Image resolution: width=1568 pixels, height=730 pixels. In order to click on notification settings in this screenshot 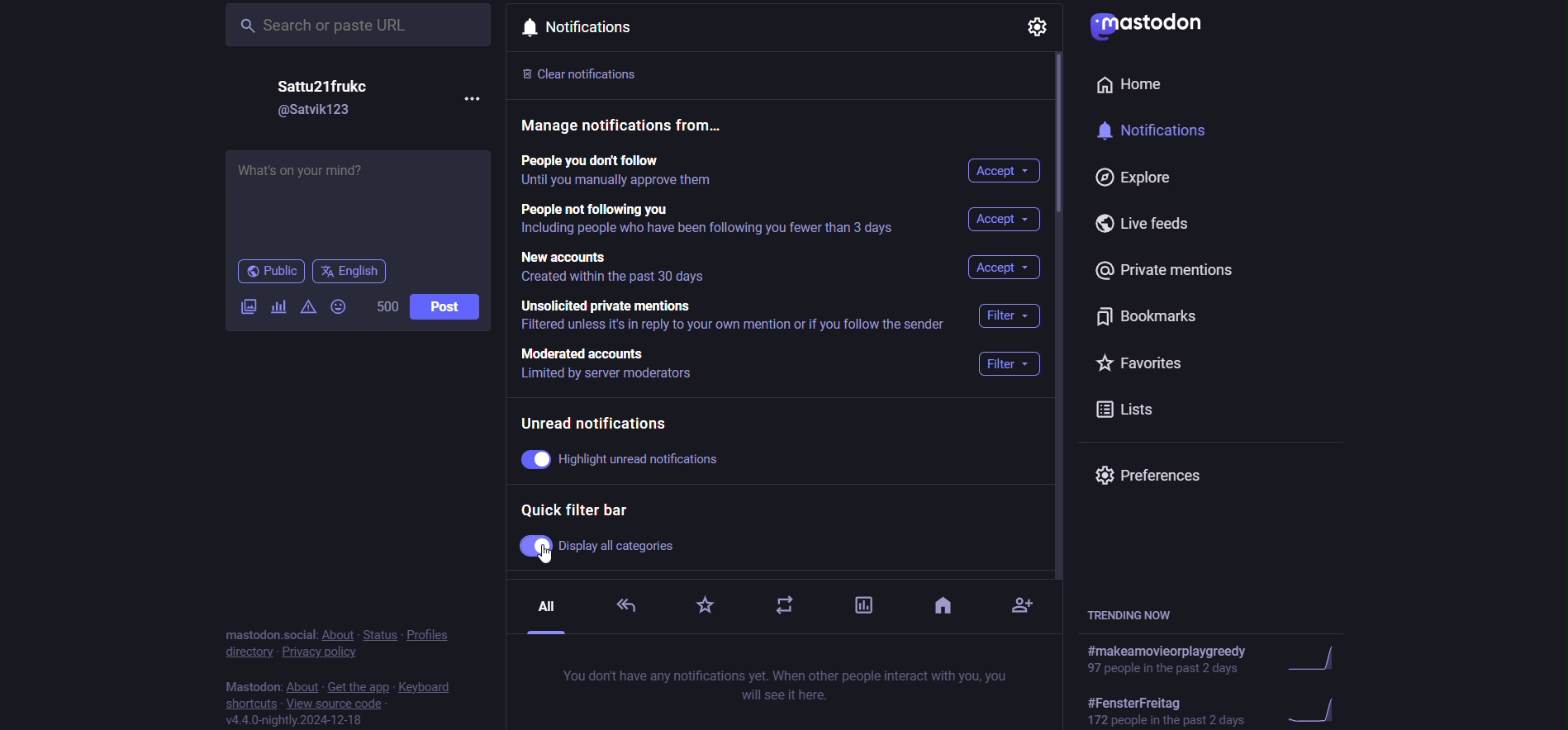, I will do `click(1038, 26)`.